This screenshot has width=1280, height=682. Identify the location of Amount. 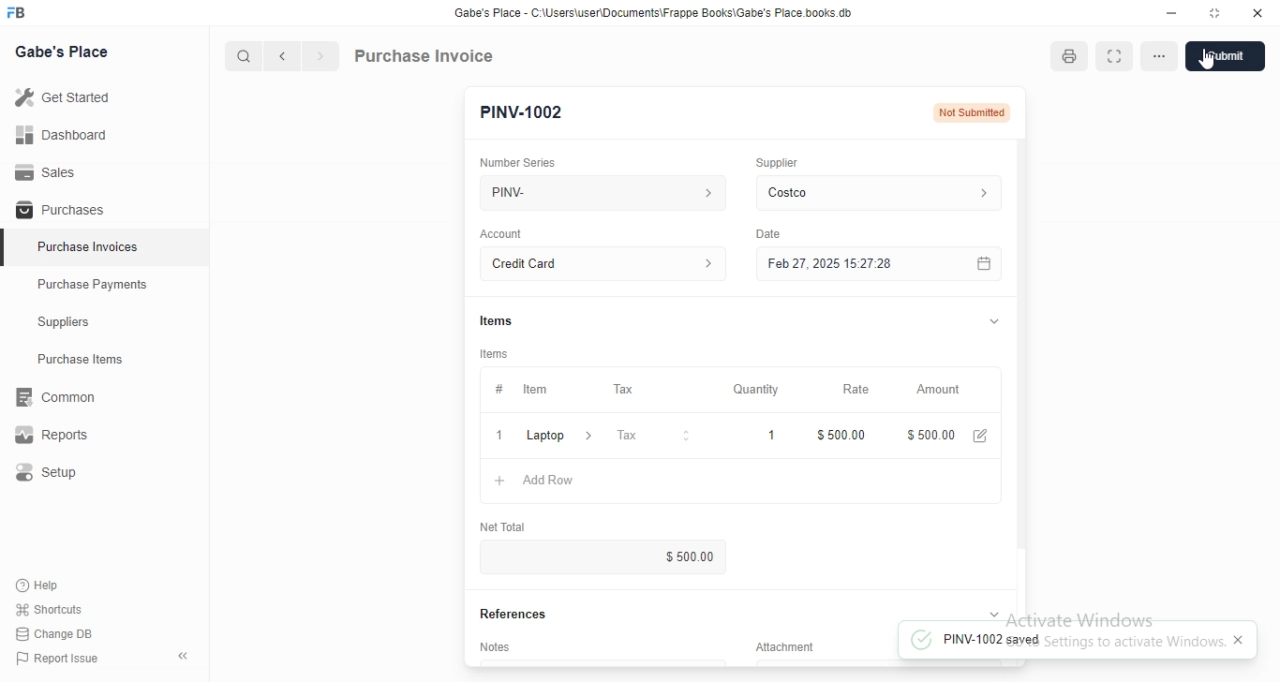
(937, 390).